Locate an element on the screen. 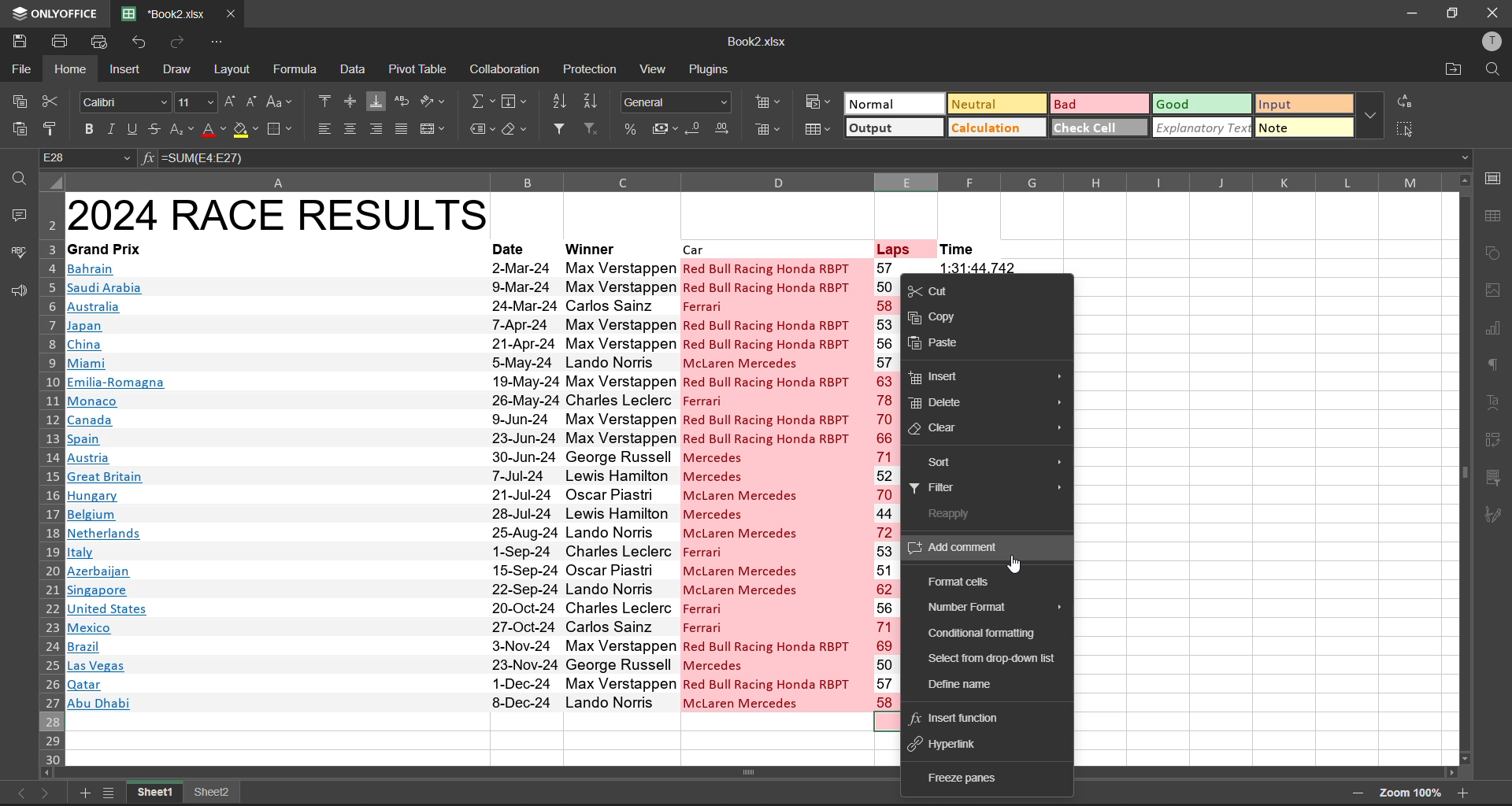  filter is located at coordinates (987, 488).